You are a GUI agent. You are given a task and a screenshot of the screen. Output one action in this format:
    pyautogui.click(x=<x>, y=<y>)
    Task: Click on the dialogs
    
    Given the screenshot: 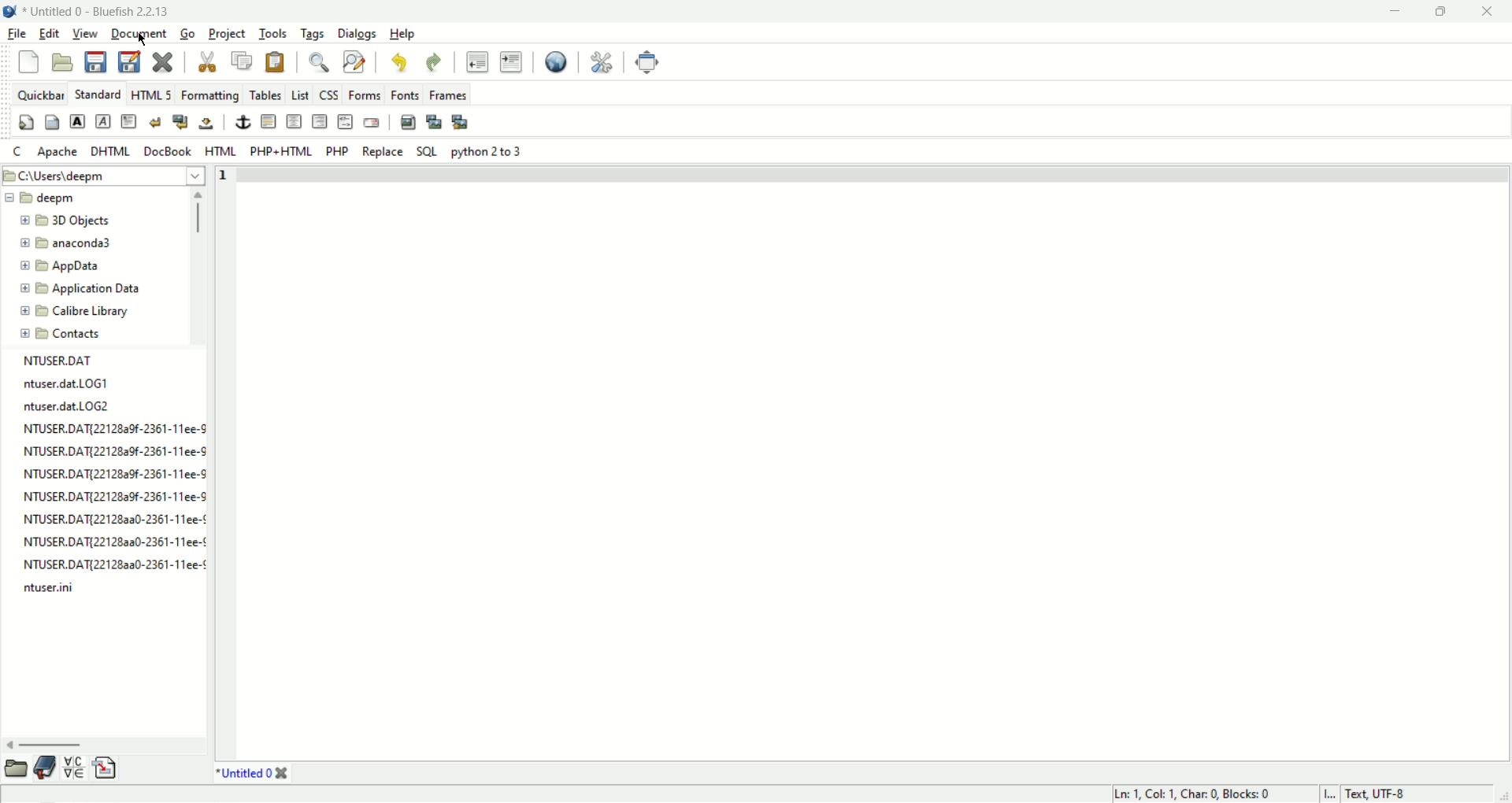 What is the action you would take?
    pyautogui.click(x=356, y=34)
    